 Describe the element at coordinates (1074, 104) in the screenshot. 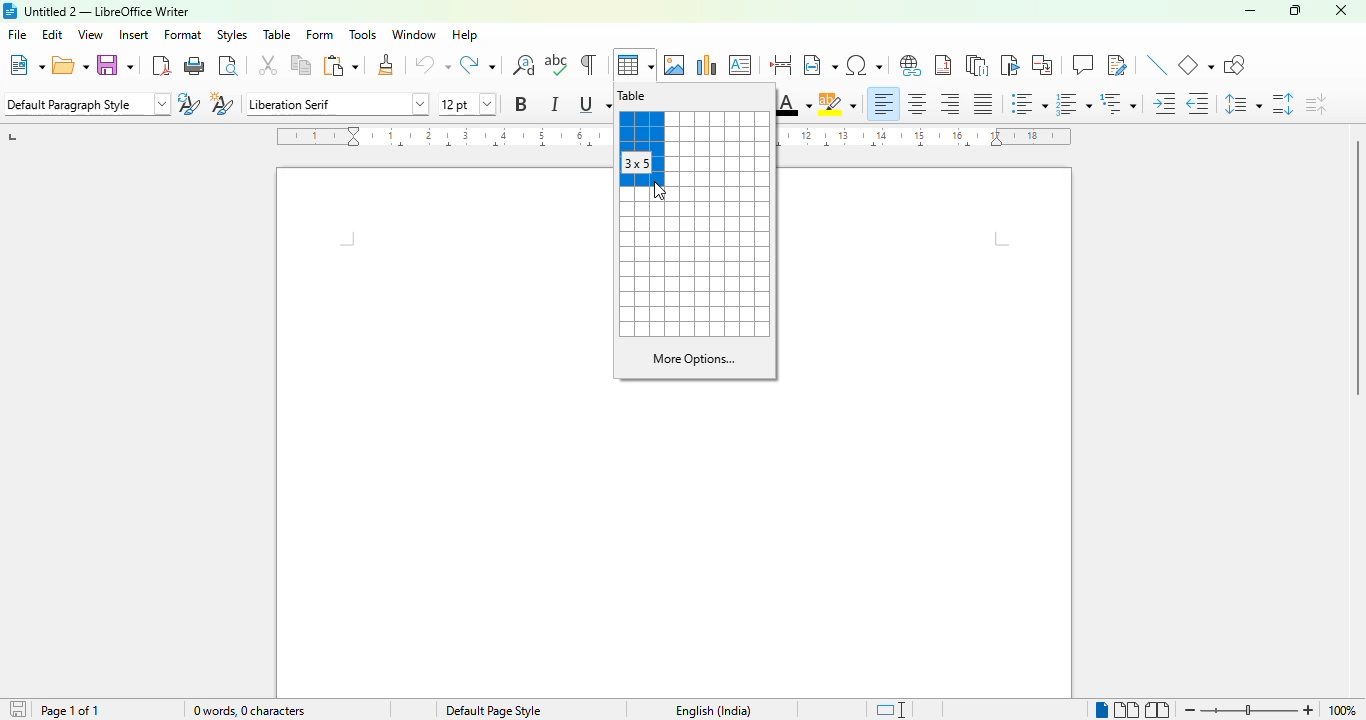

I see `toggle ordered list` at that location.